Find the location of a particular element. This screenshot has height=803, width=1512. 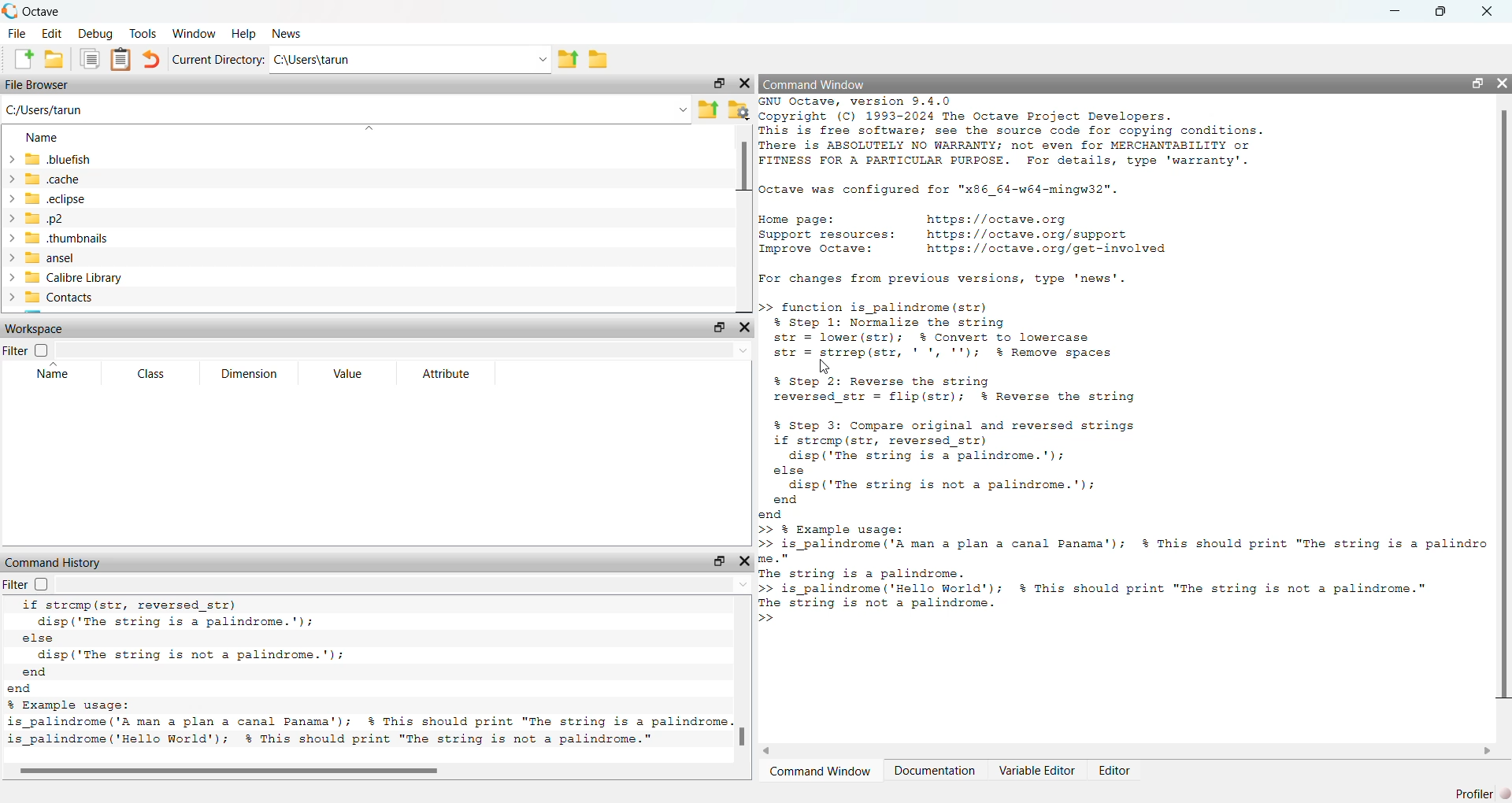

filter is located at coordinates (28, 586).